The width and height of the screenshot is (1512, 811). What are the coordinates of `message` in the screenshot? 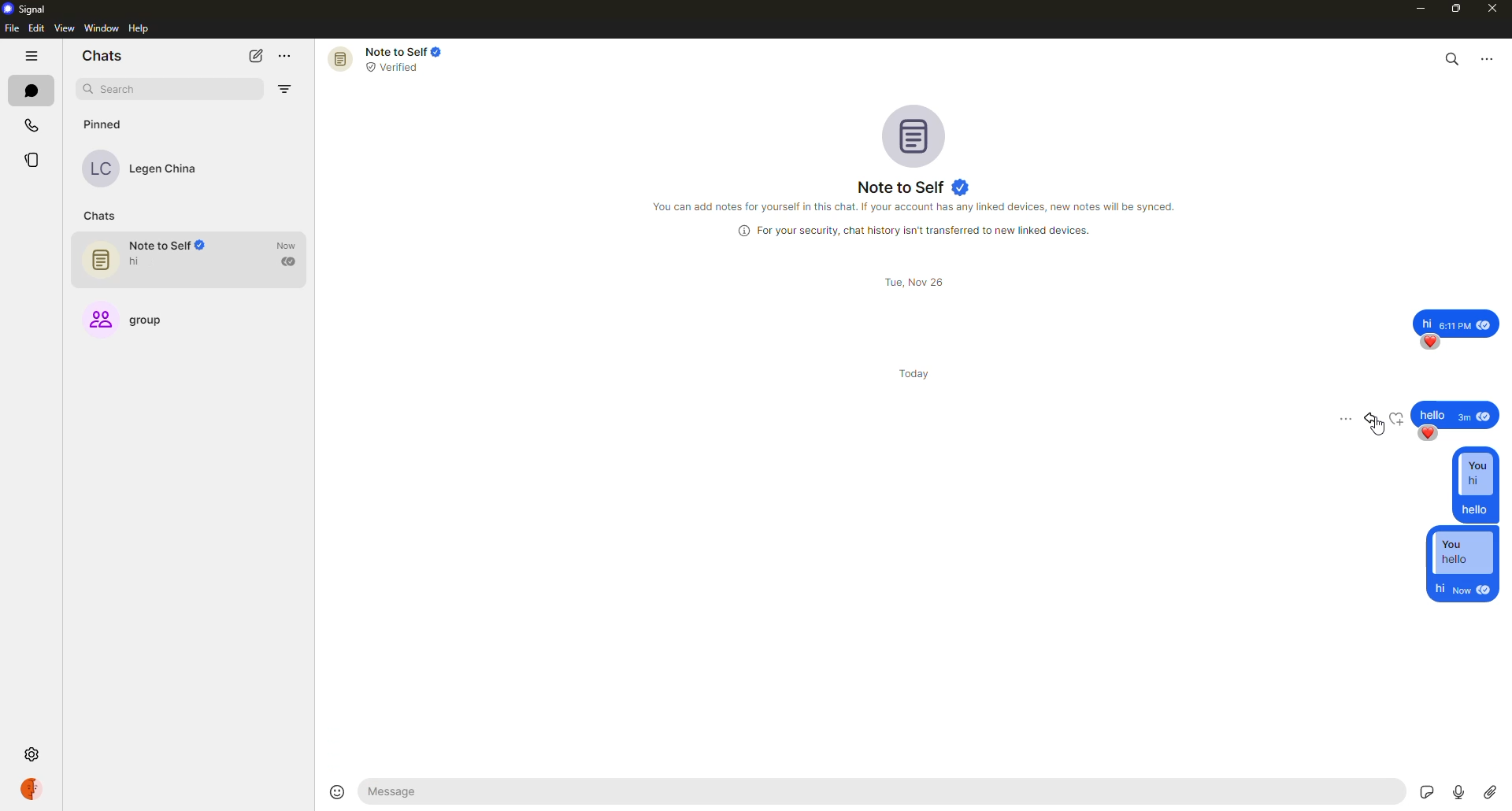 It's located at (1457, 321).